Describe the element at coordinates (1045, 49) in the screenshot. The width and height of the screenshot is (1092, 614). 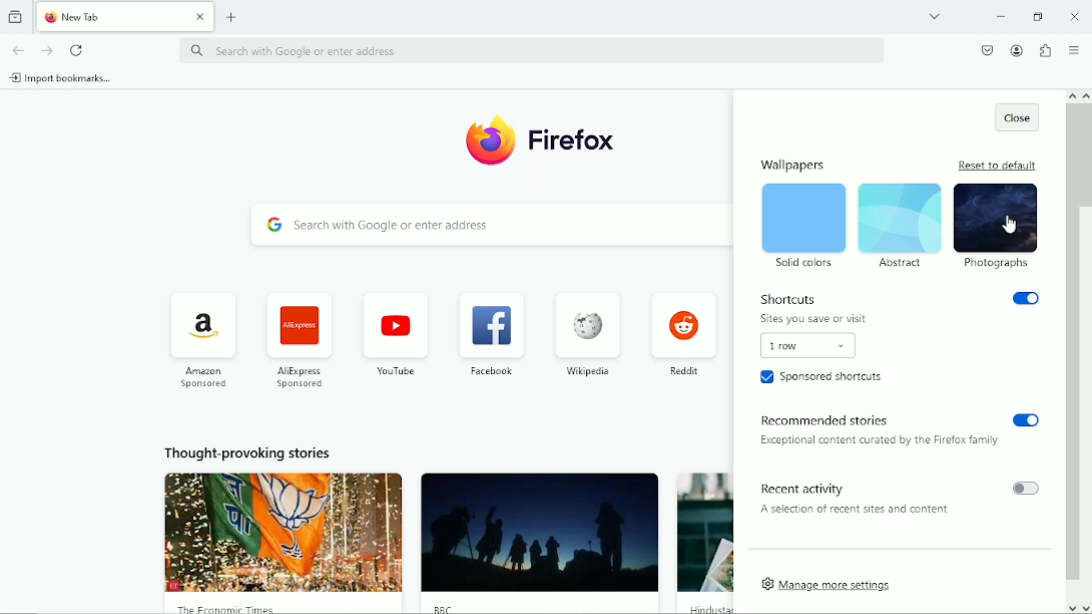
I see `Extensions` at that location.